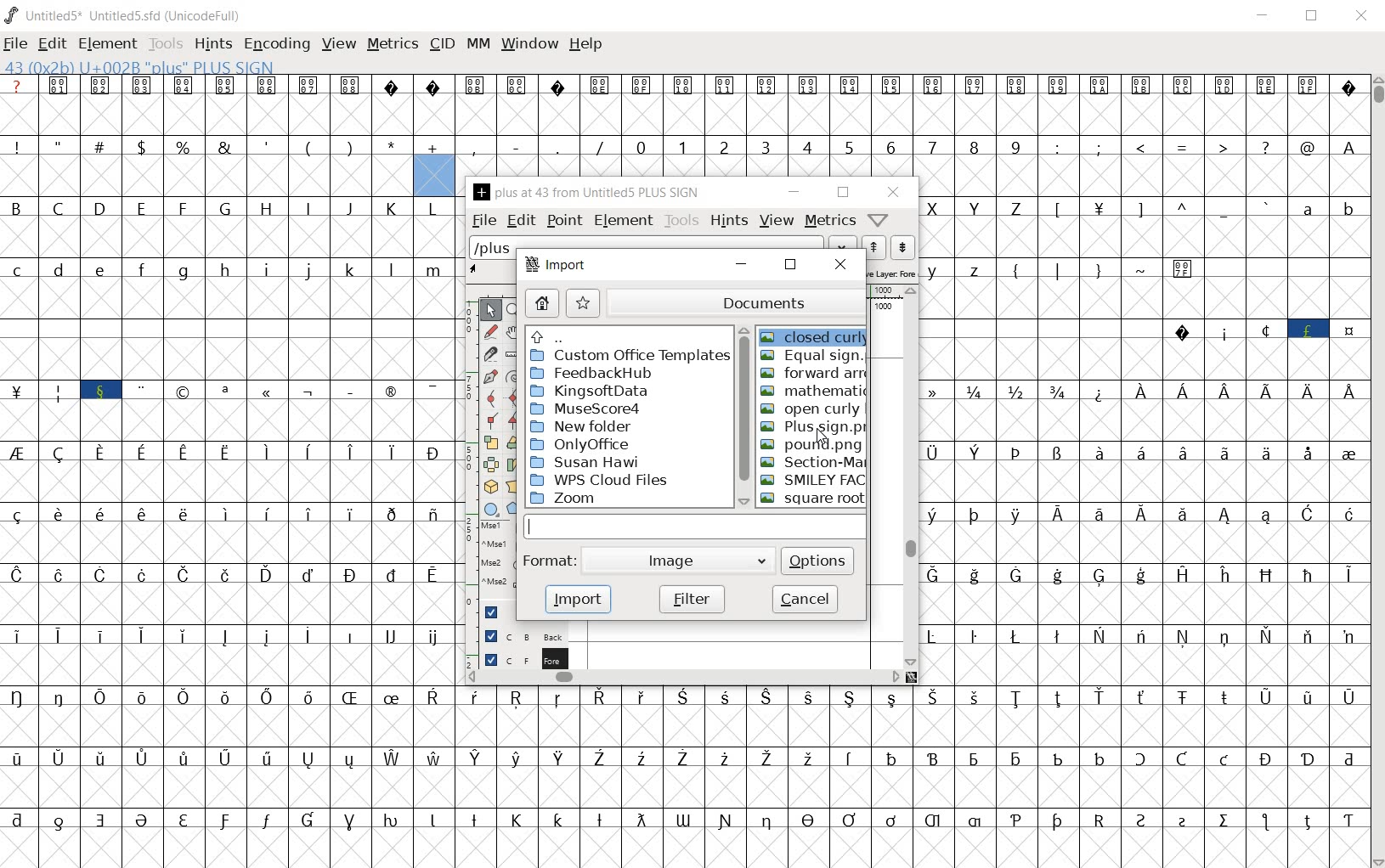  Describe the element at coordinates (18, 413) in the screenshot. I see `| M
i` at that location.